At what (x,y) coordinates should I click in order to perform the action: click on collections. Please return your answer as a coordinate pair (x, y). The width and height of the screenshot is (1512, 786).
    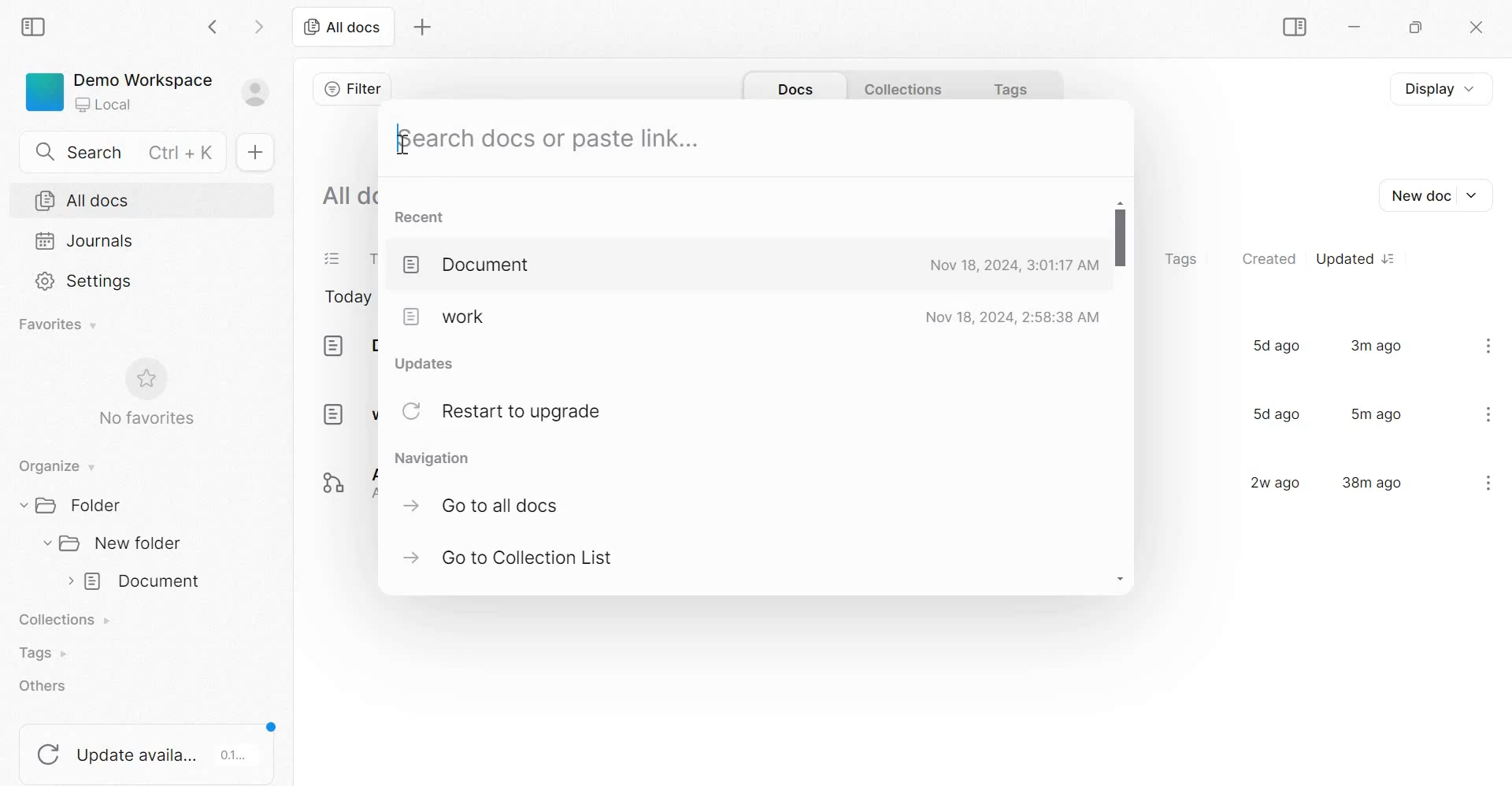
    Looking at the image, I should click on (904, 88).